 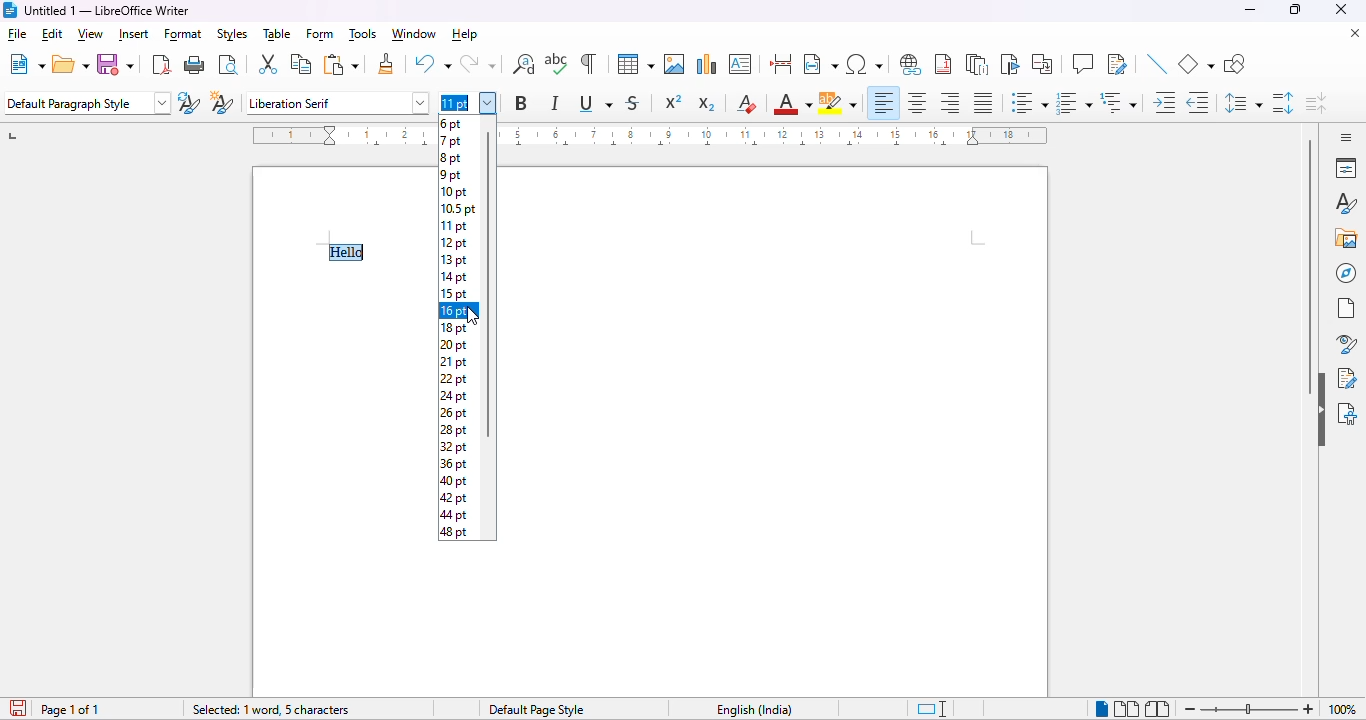 I want to click on toggle unordered list, so click(x=1028, y=102).